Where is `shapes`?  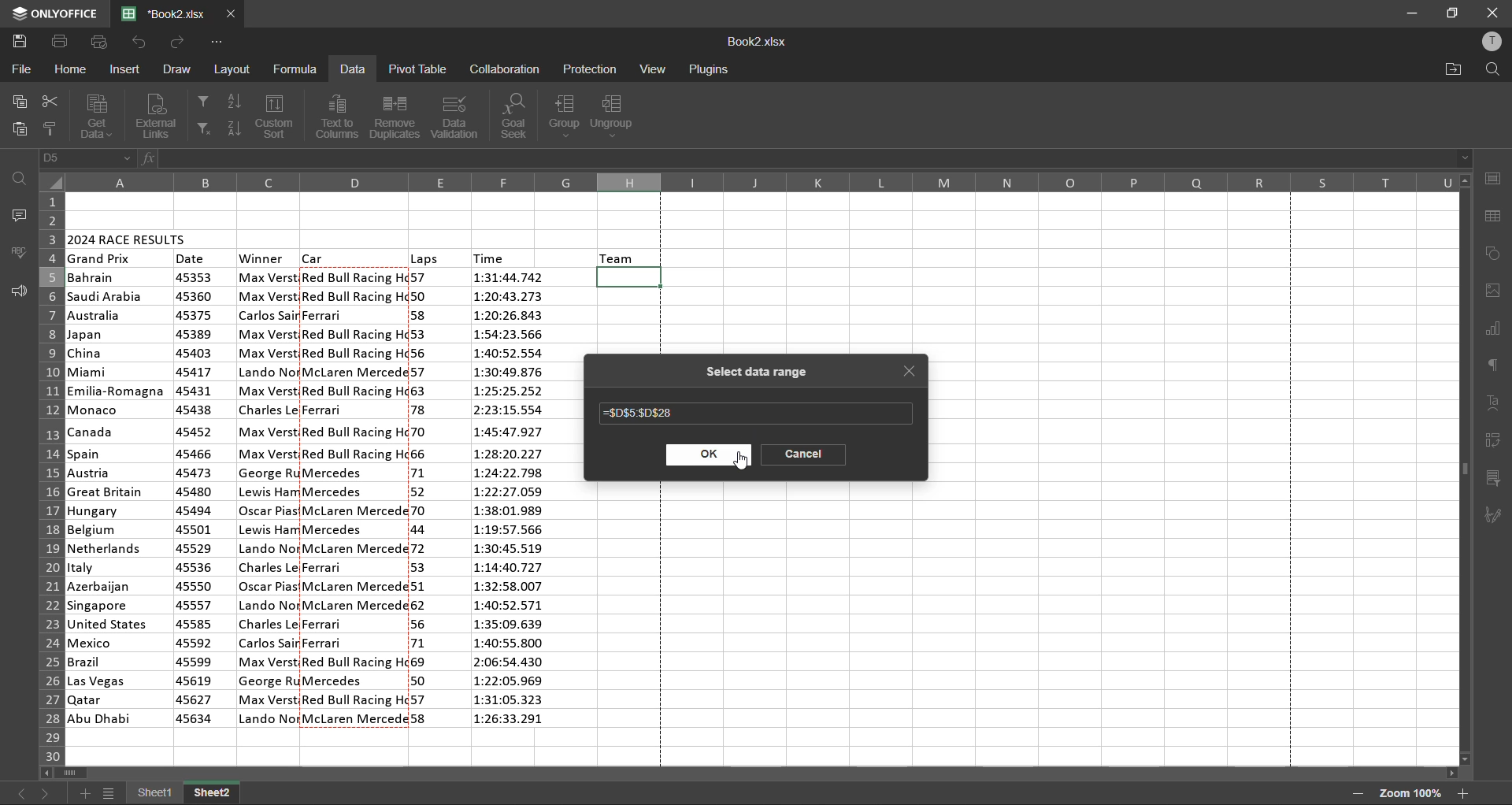
shapes is located at coordinates (1494, 254).